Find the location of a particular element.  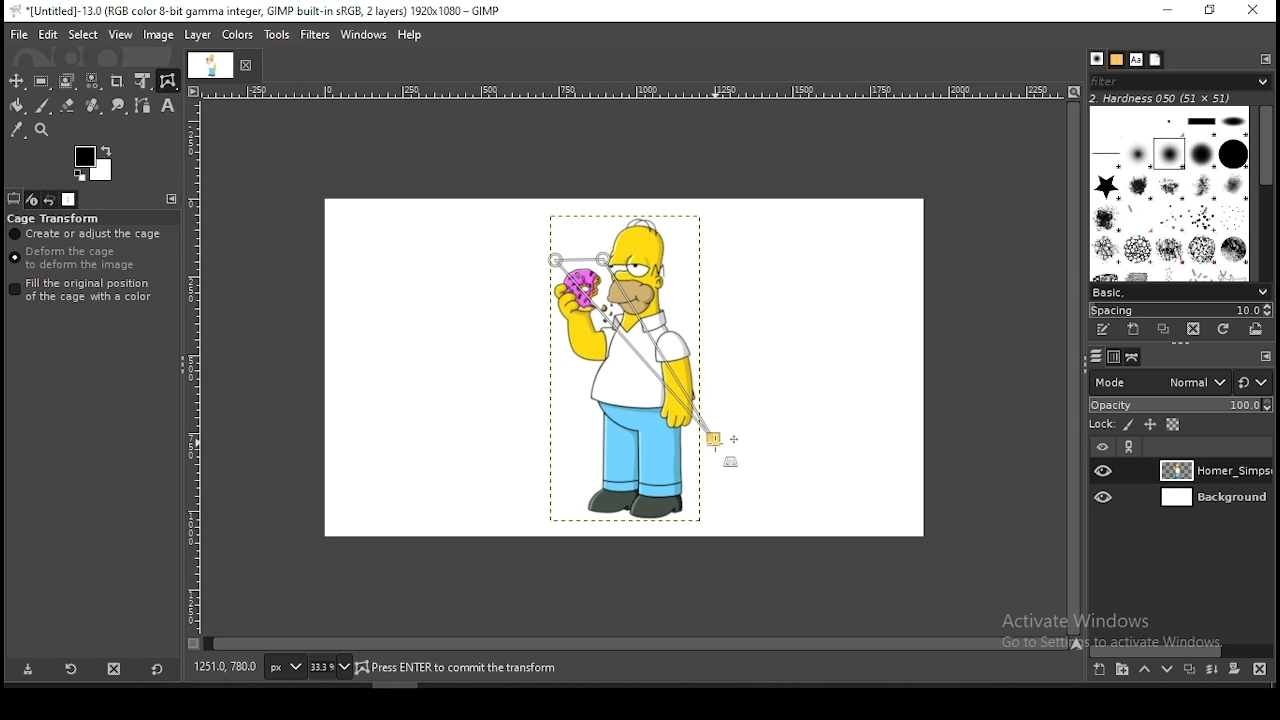

eraser tool is located at coordinates (68, 106).